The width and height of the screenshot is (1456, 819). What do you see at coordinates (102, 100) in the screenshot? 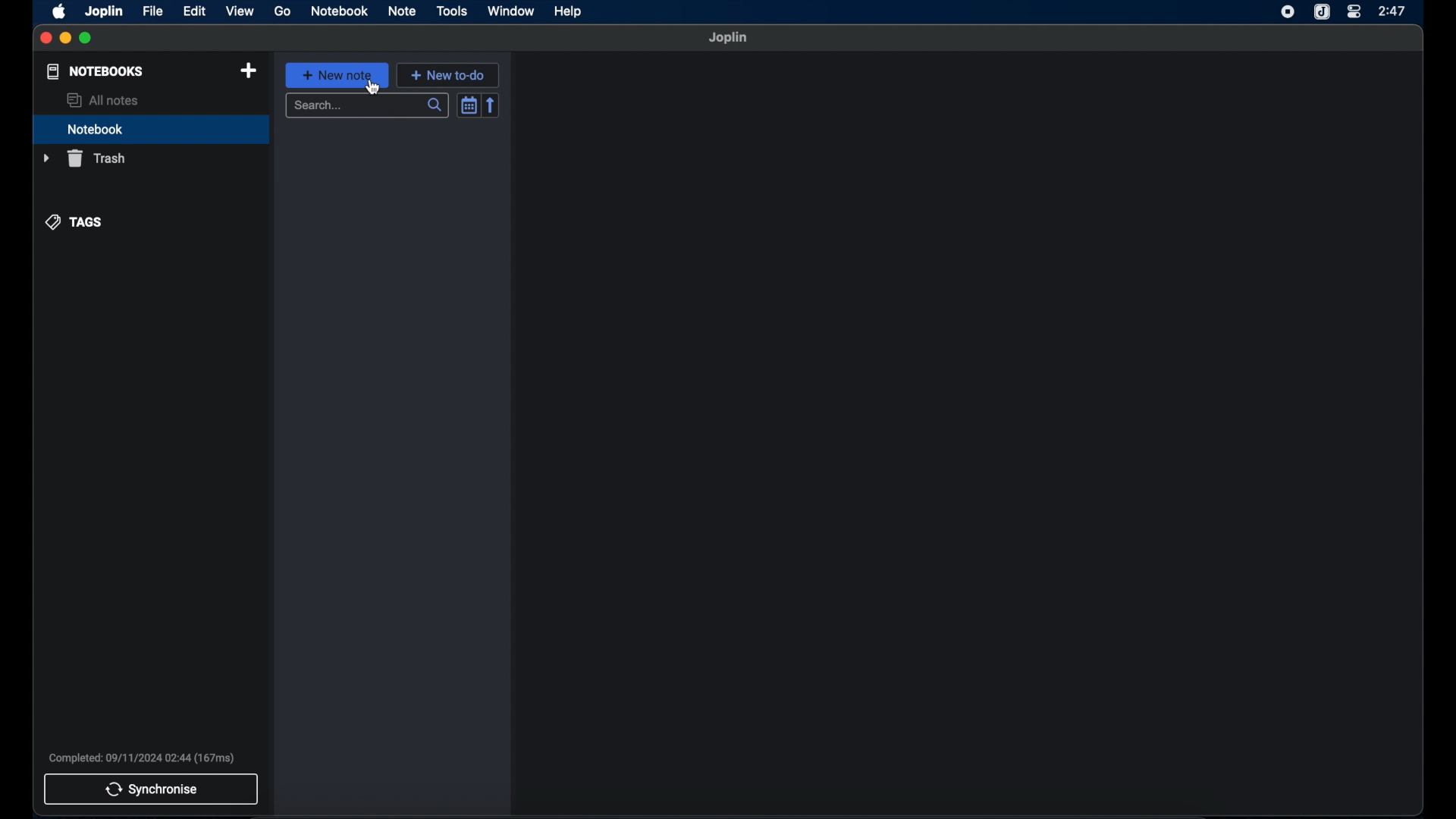
I see `all notes` at bounding box center [102, 100].